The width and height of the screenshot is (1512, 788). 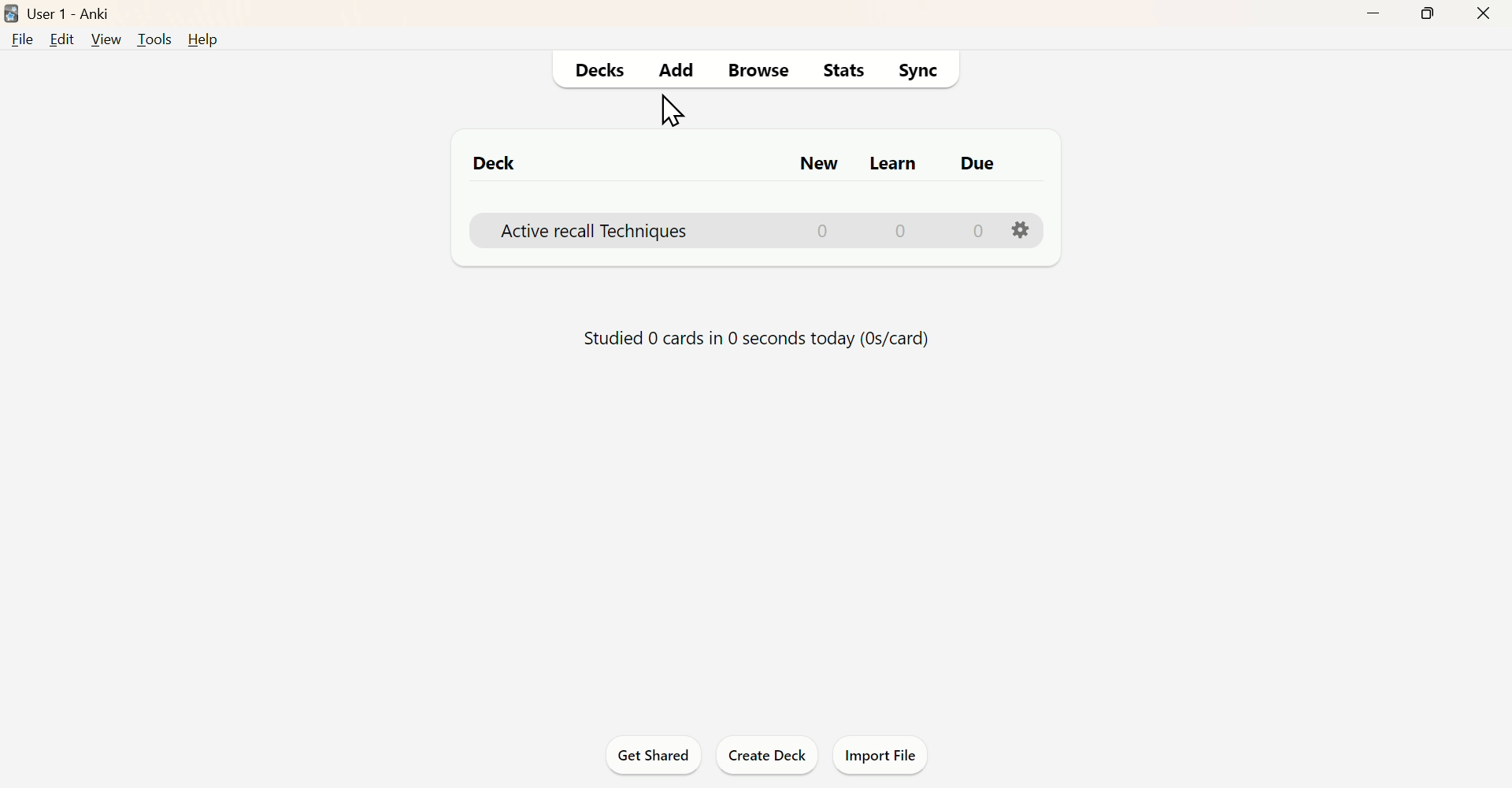 What do you see at coordinates (204, 41) in the screenshot?
I see `Help` at bounding box center [204, 41].